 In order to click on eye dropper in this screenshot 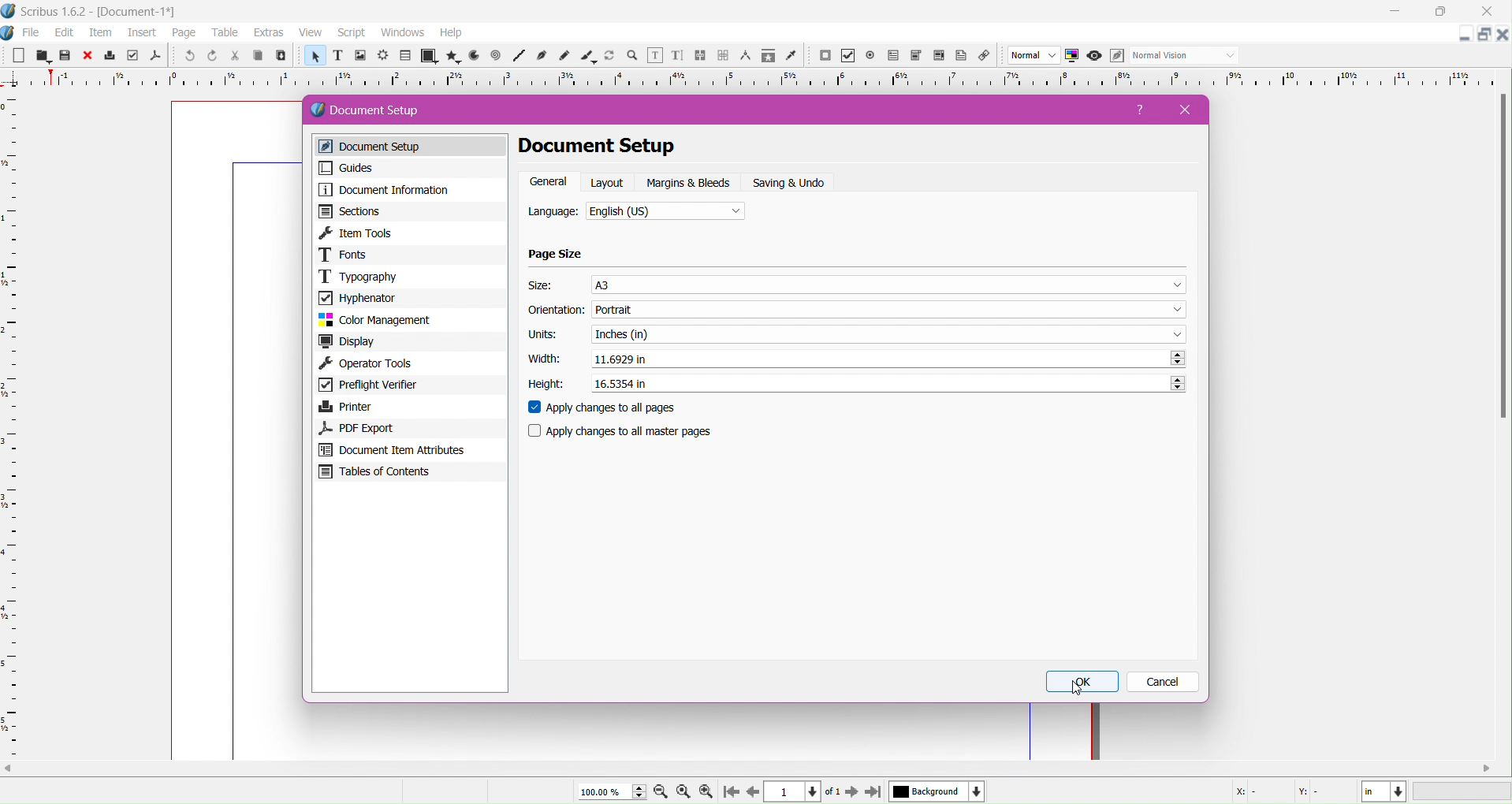, I will do `click(795, 57)`.